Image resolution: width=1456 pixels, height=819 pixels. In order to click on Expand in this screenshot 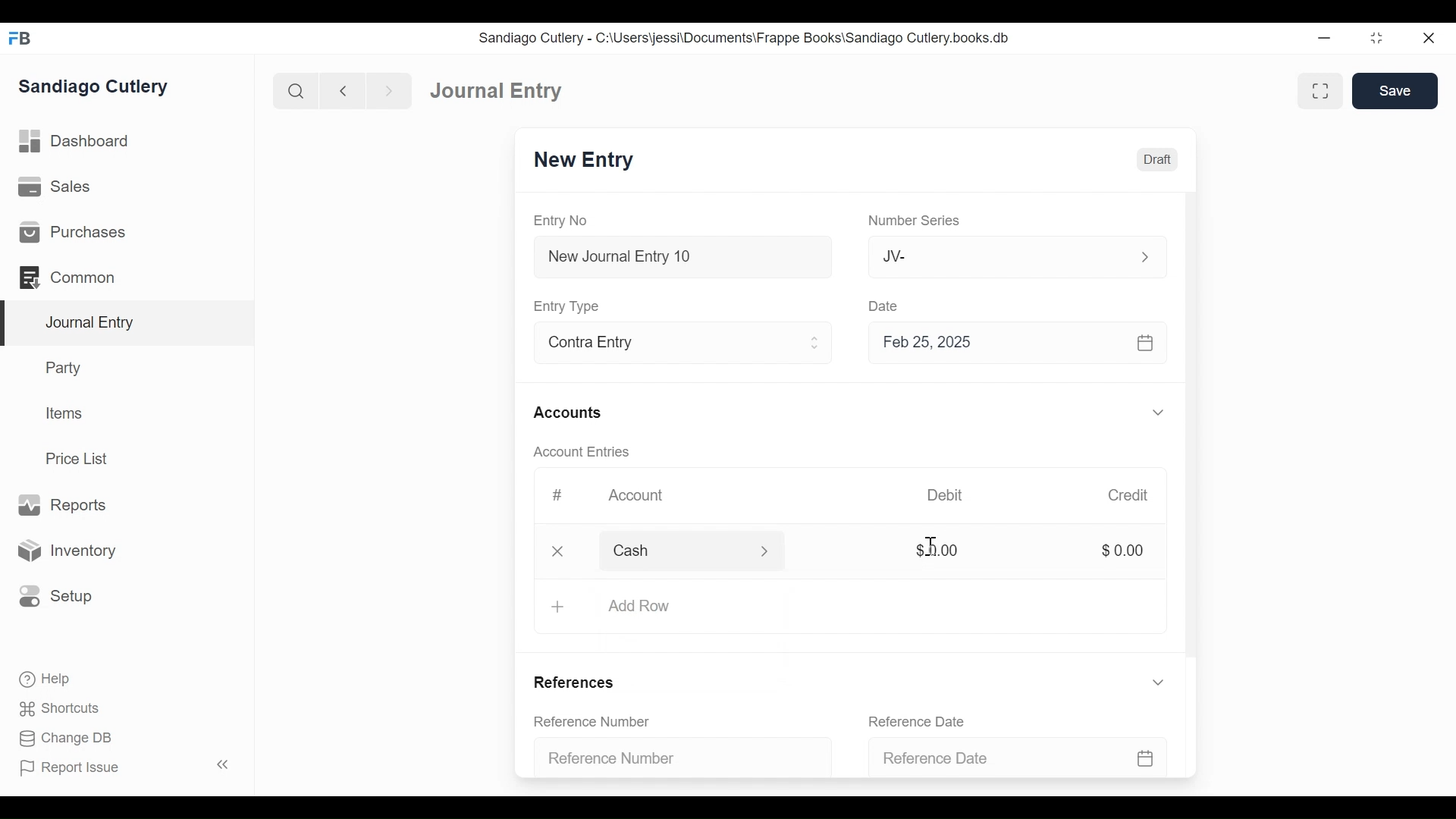, I will do `click(773, 552)`.